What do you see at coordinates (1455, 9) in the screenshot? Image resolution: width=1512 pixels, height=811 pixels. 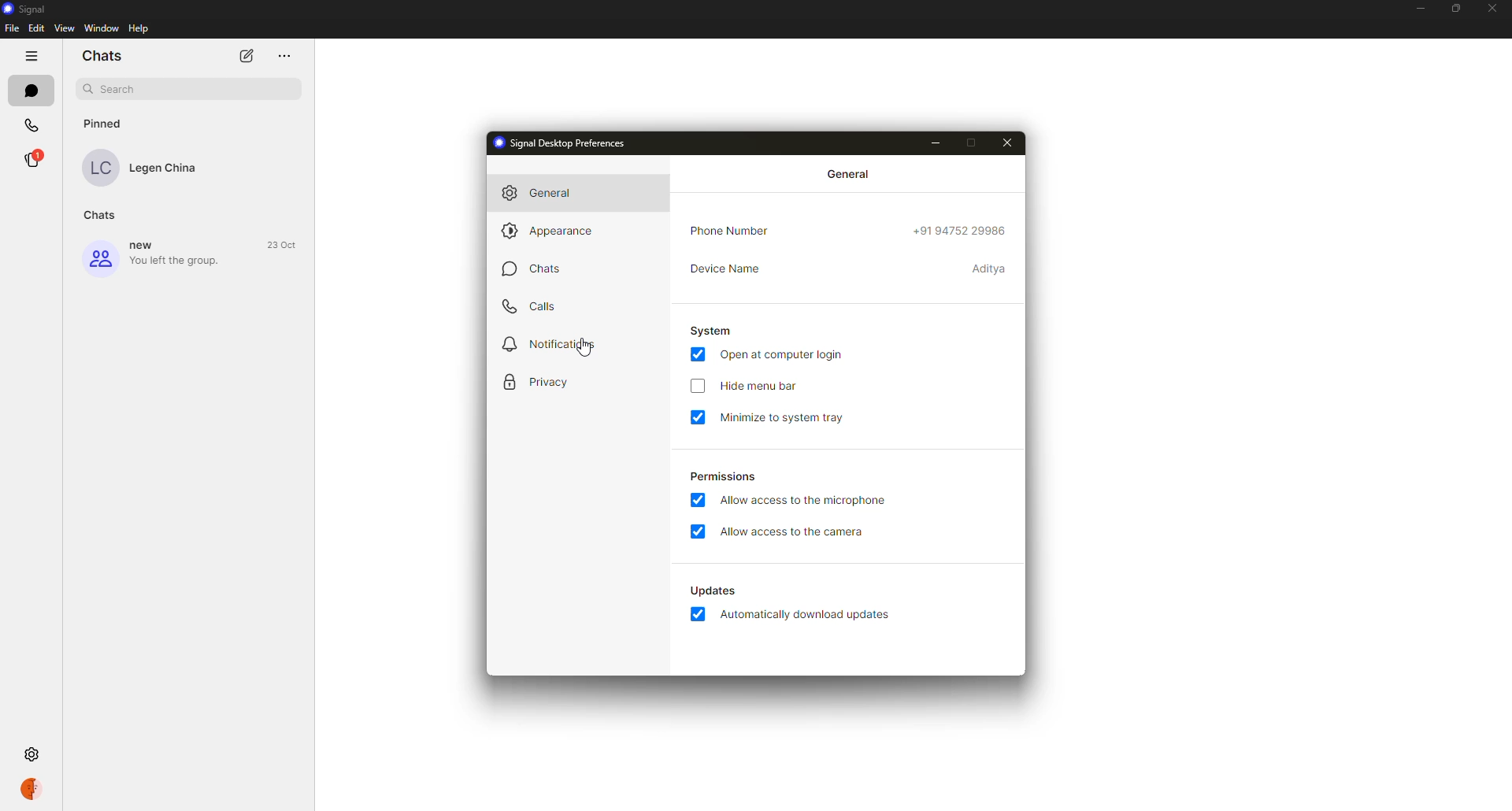 I see `restore` at bounding box center [1455, 9].